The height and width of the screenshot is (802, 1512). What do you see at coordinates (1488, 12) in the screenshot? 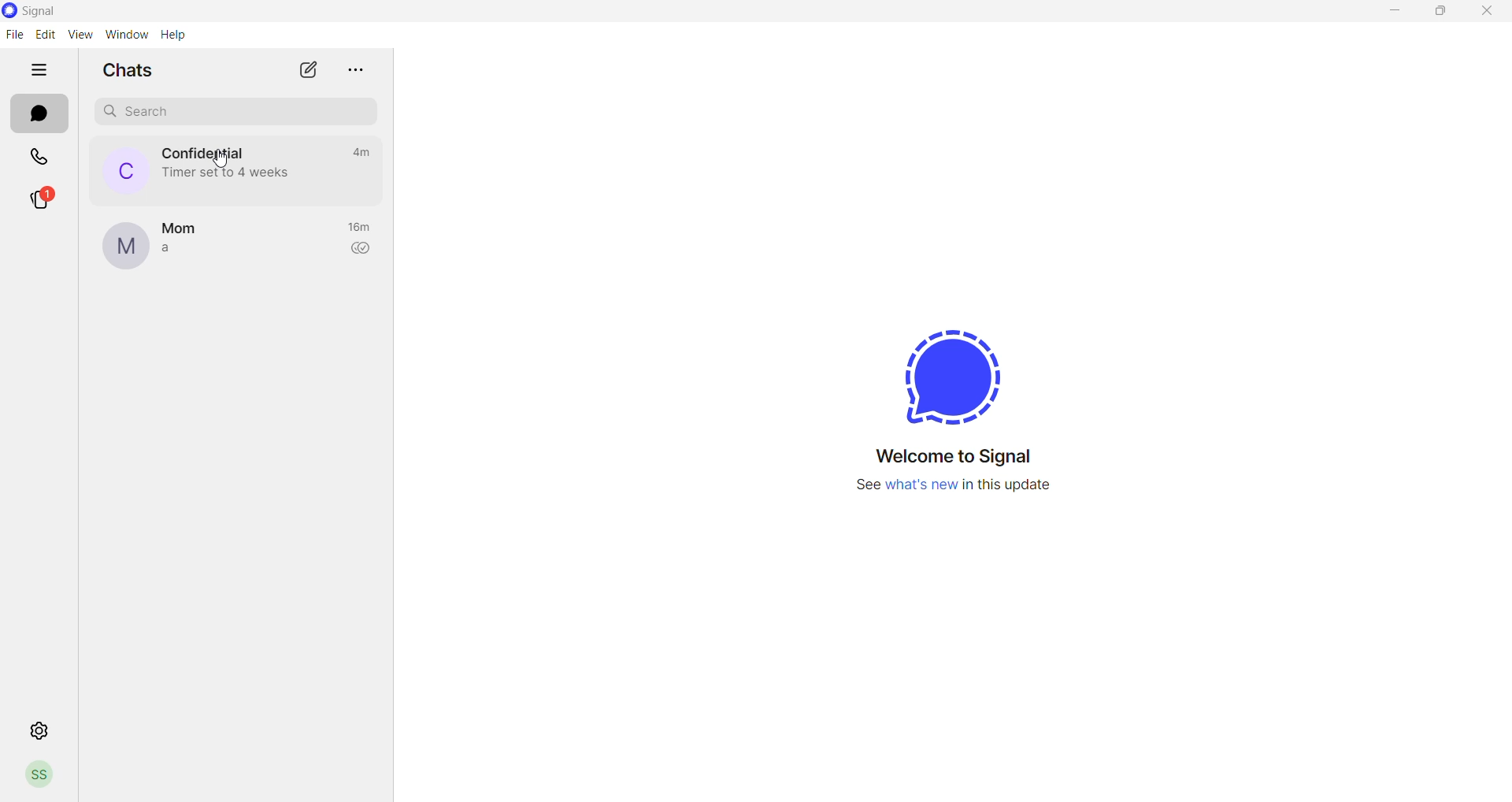
I see `close` at bounding box center [1488, 12].